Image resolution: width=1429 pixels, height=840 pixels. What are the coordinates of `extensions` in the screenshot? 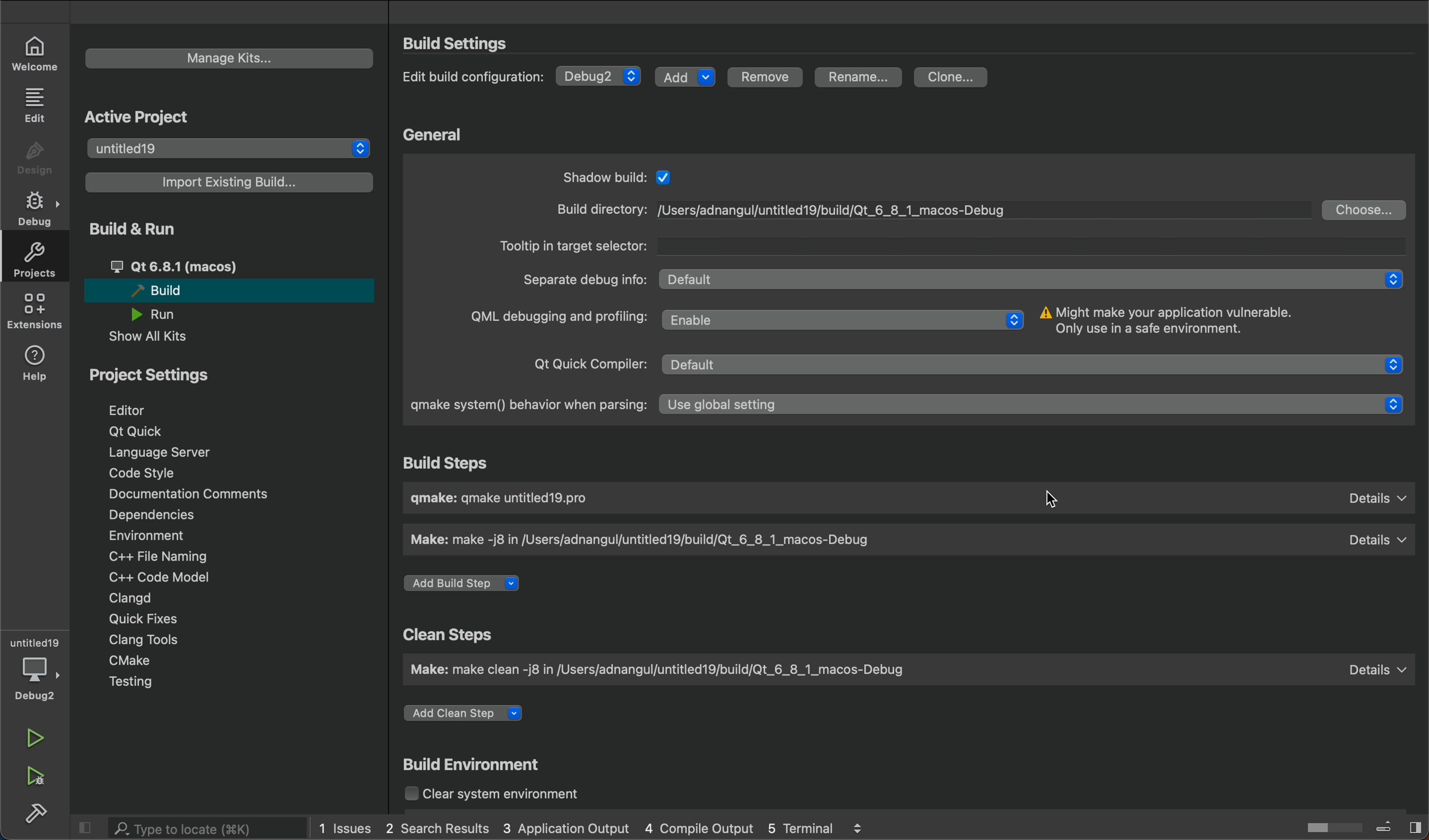 It's located at (34, 311).